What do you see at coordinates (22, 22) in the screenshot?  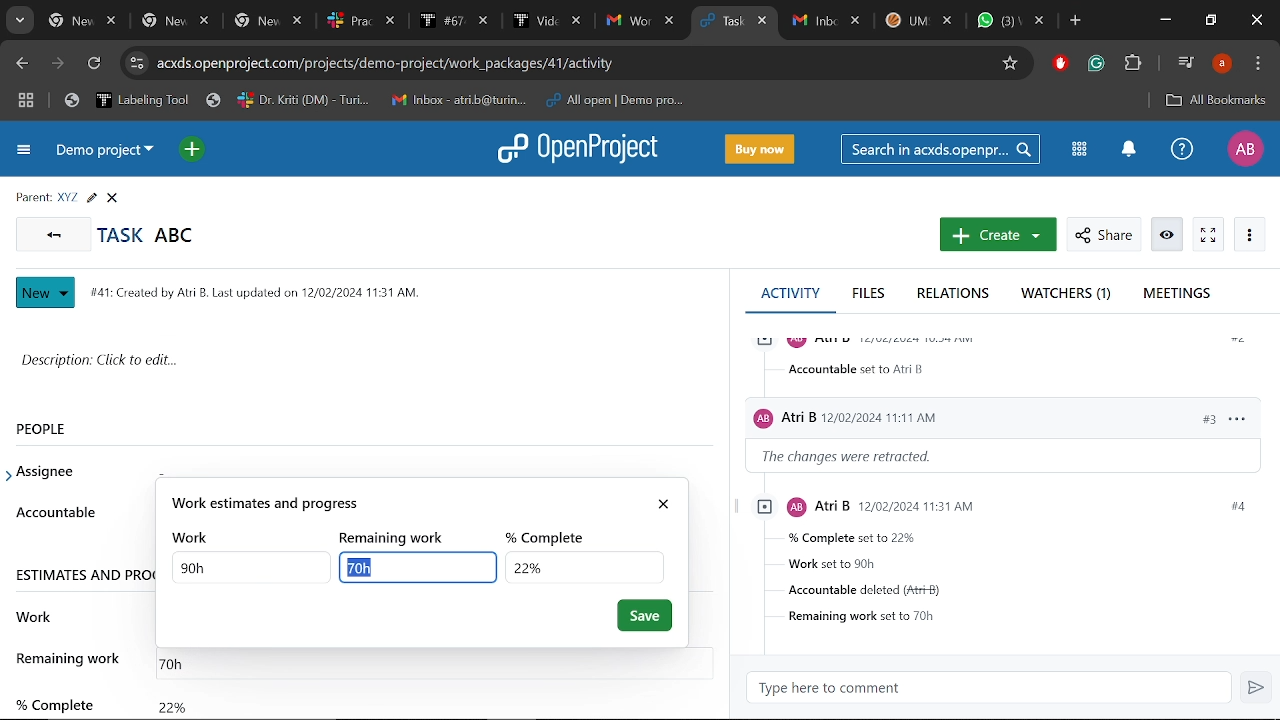 I see `Search tabs` at bounding box center [22, 22].